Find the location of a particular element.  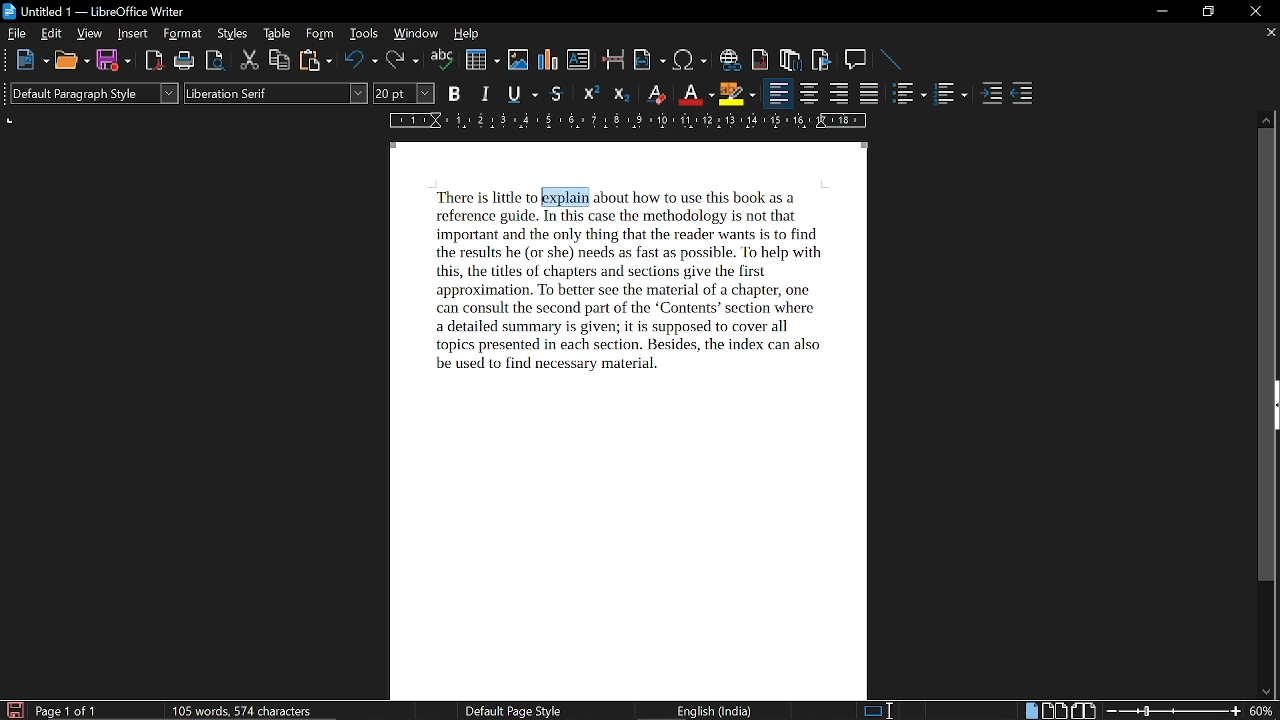

insert hyperlink is located at coordinates (730, 59).